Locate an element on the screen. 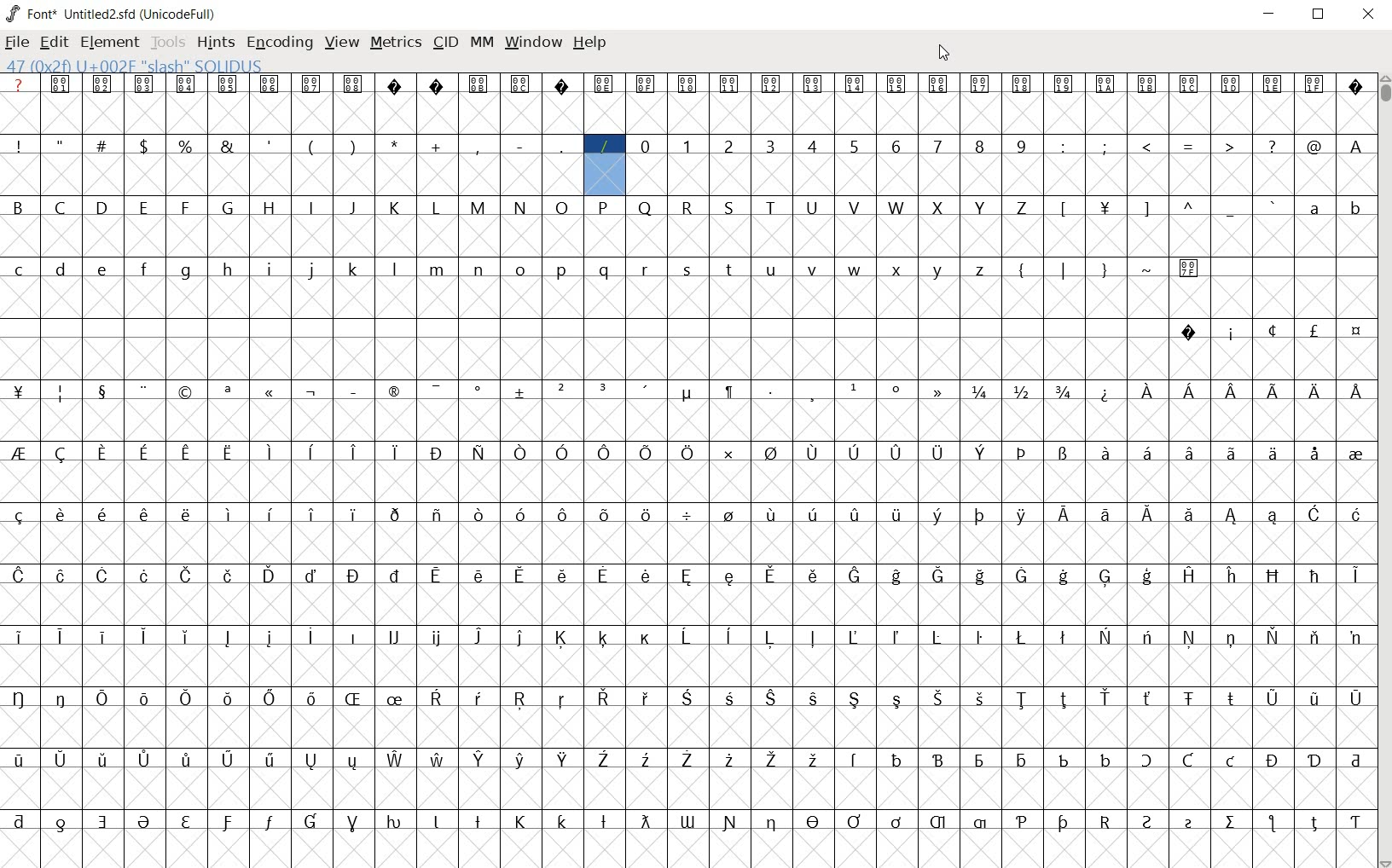 The height and width of the screenshot is (868, 1392). glyph is located at coordinates (770, 391).